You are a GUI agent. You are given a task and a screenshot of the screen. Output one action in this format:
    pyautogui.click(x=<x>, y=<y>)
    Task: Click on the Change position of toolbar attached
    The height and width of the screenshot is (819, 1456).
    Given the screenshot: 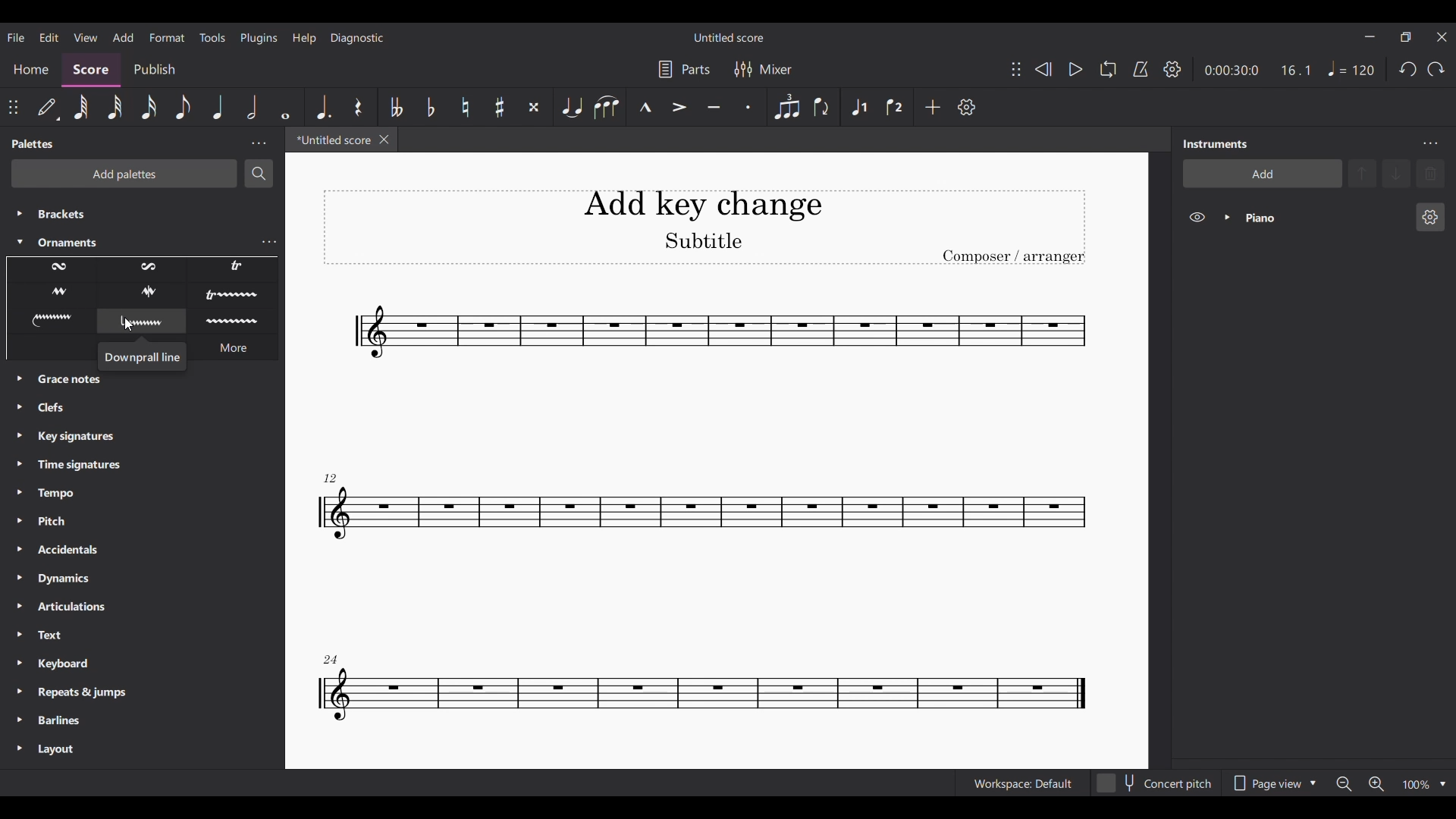 What is the action you would take?
    pyautogui.click(x=1015, y=69)
    